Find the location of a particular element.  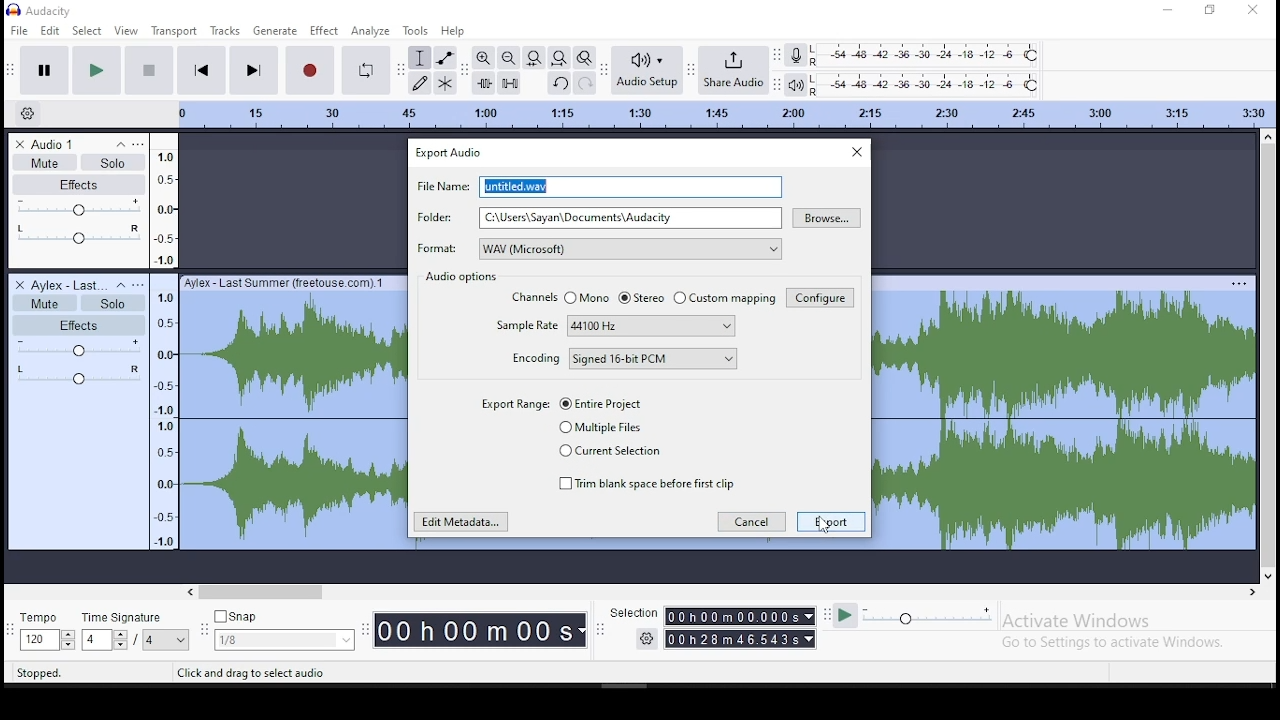

custom mapping is located at coordinates (727, 298).